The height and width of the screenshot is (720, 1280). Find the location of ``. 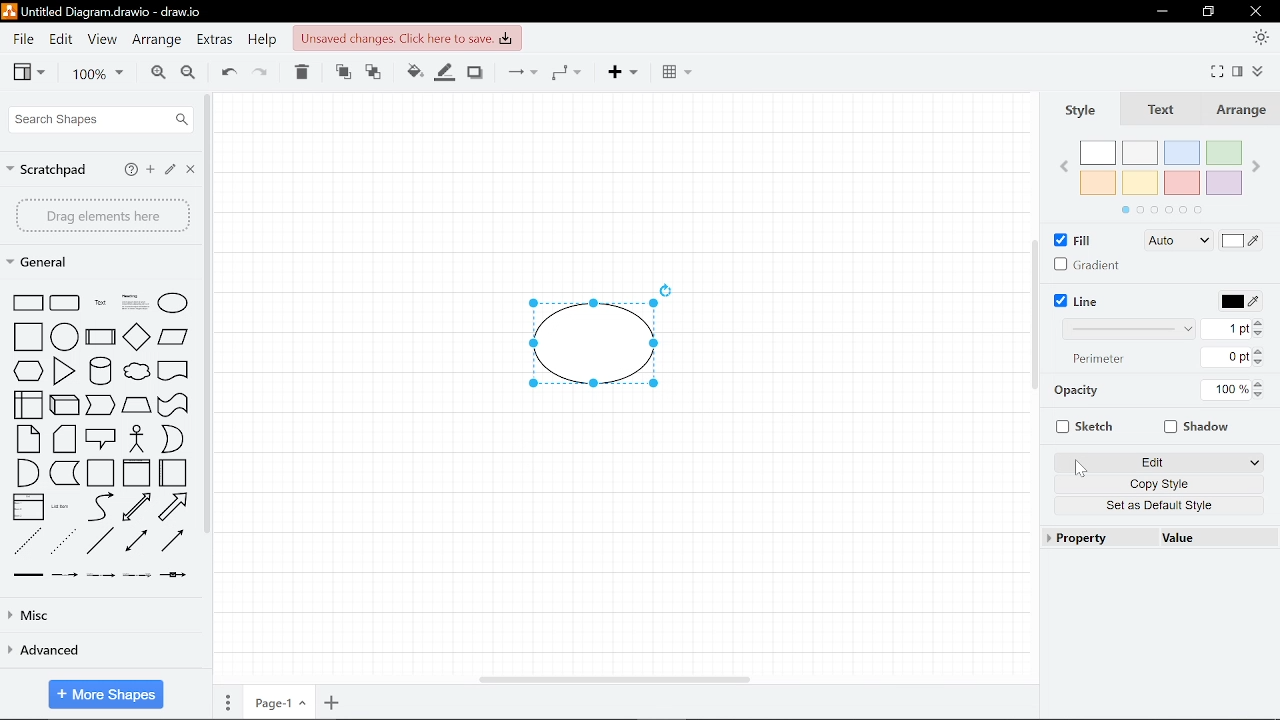

 is located at coordinates (94, 73).